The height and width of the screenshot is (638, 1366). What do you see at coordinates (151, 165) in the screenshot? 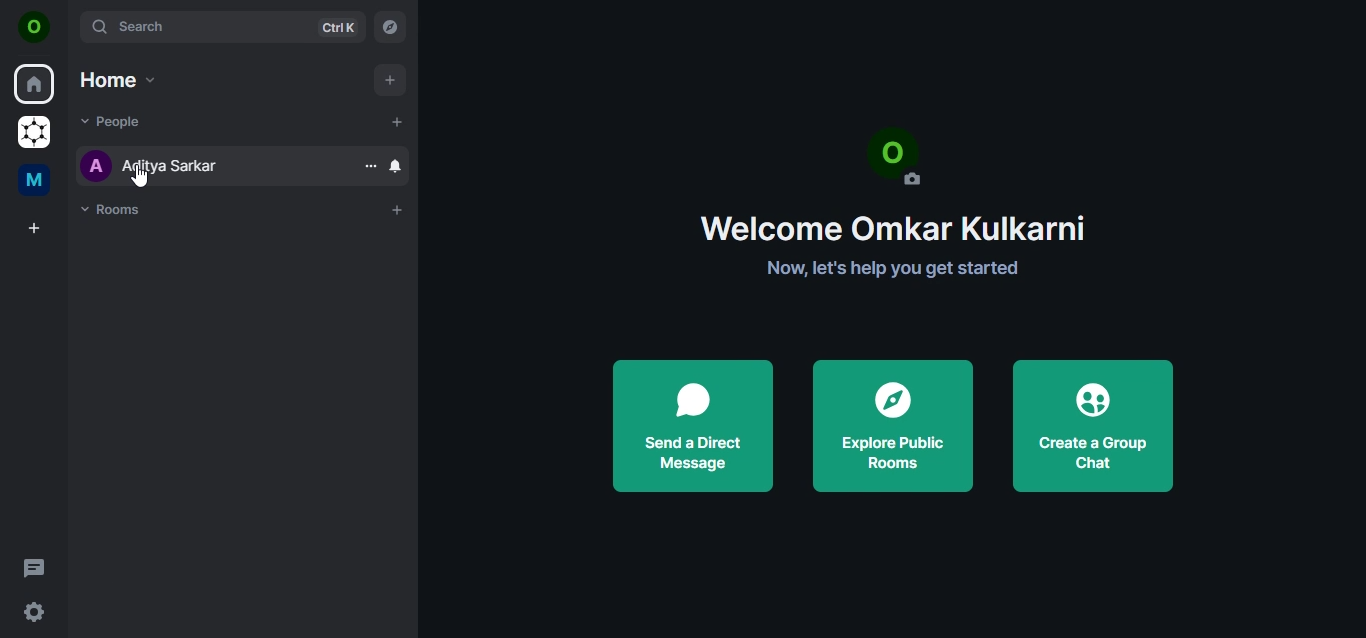
I see `aditya sarkar` at bounding box center [151, 165].